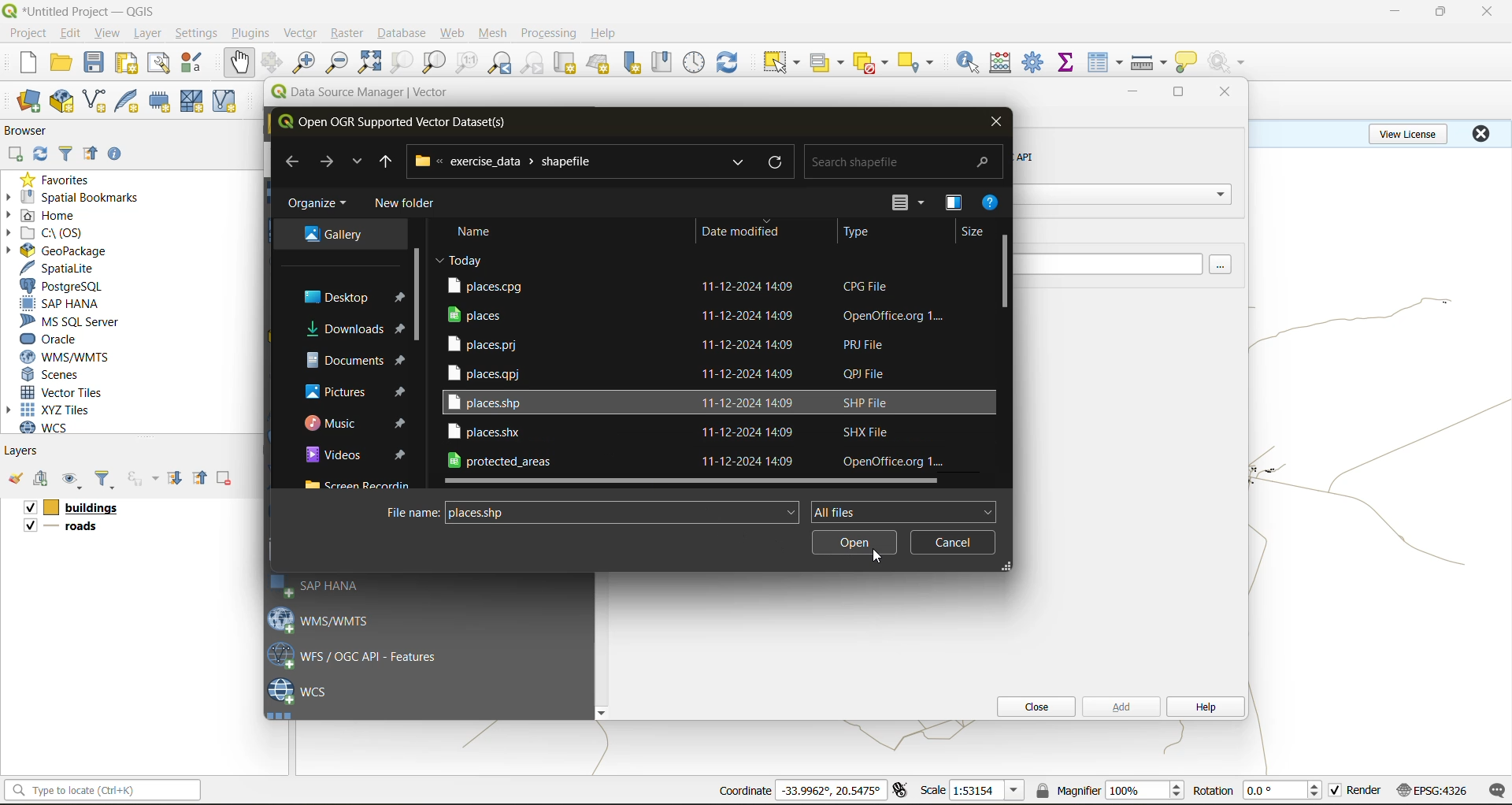 Image resolution: width=1512 pixels, height=805 pixels. What do you see at coordinates (694, 482) in the screenshot?
I see `horizontal scroll bar` at bounding box center [694, 482].